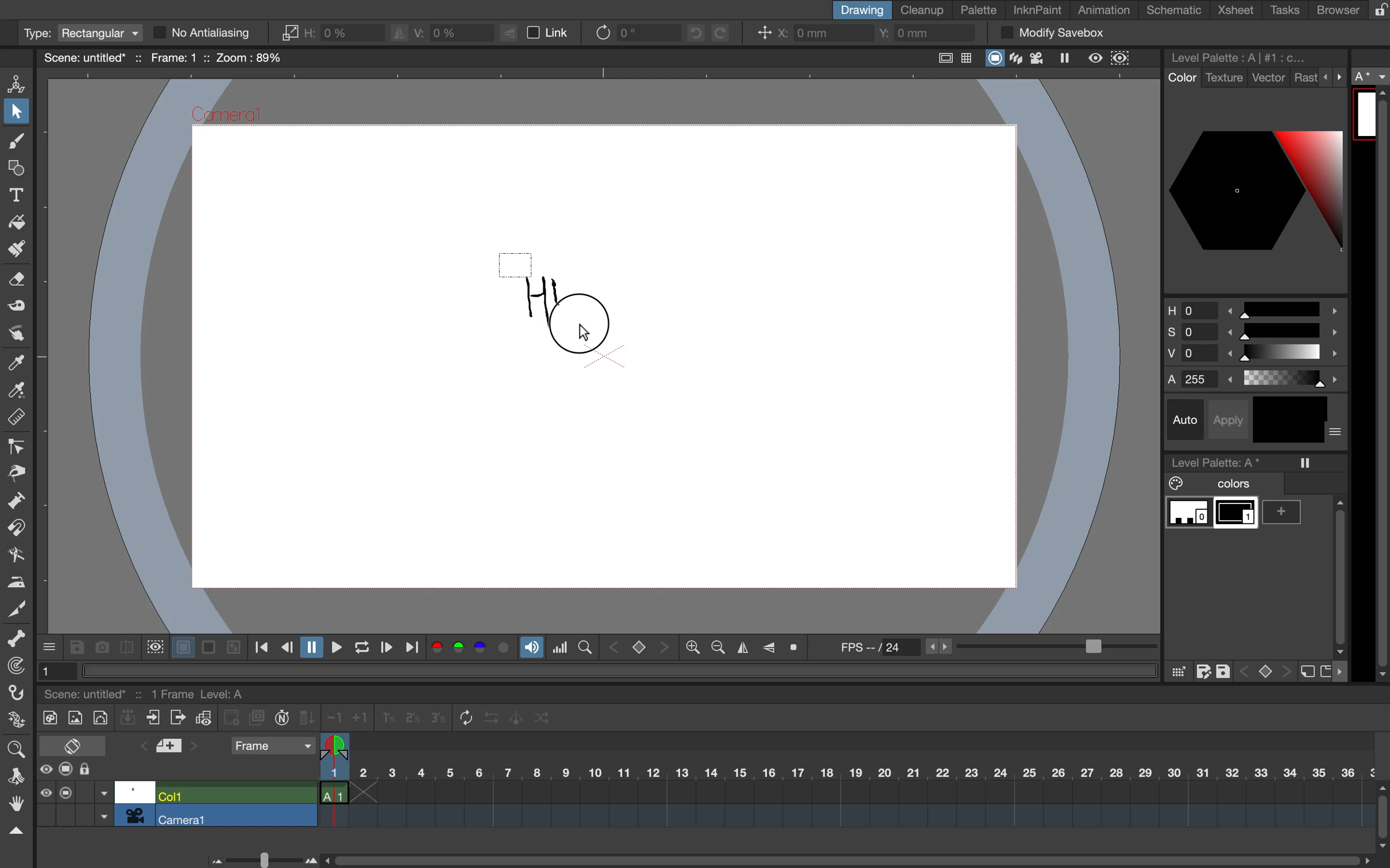 Image resolution: width=1390 pixels, height=868 pixels. Describe the element at coordinates (18, 283) in the screenshot. I see `eraser tool` at that location.